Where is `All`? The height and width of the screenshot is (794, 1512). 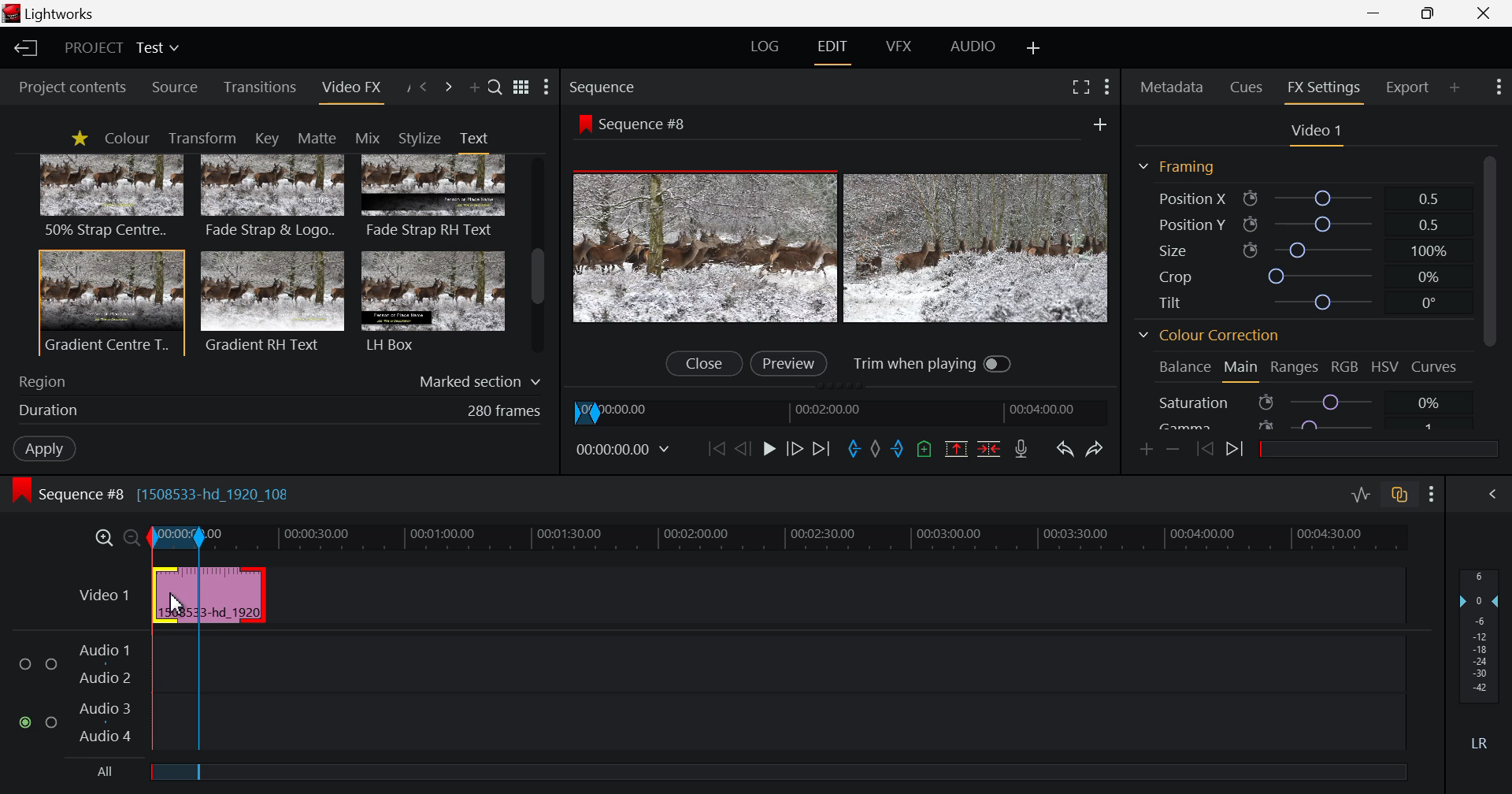 All is located at coordinates (94, 774).